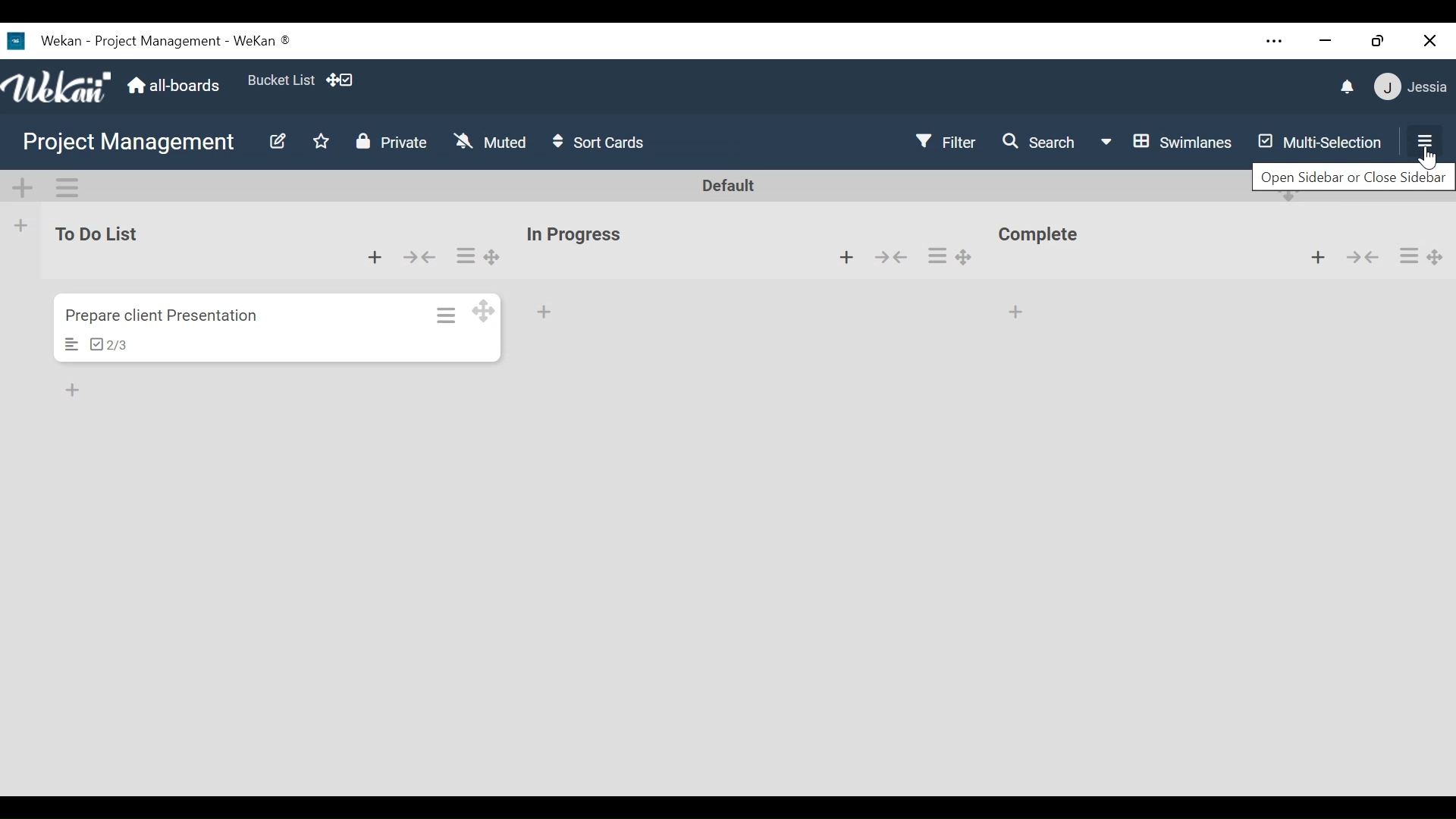 Image resolution: width=1456 pixels, height=819 pixels. What do you see at coordinates (1430, 39) in the screenshot?
I see `Close` at bounding box center [1430, 39].